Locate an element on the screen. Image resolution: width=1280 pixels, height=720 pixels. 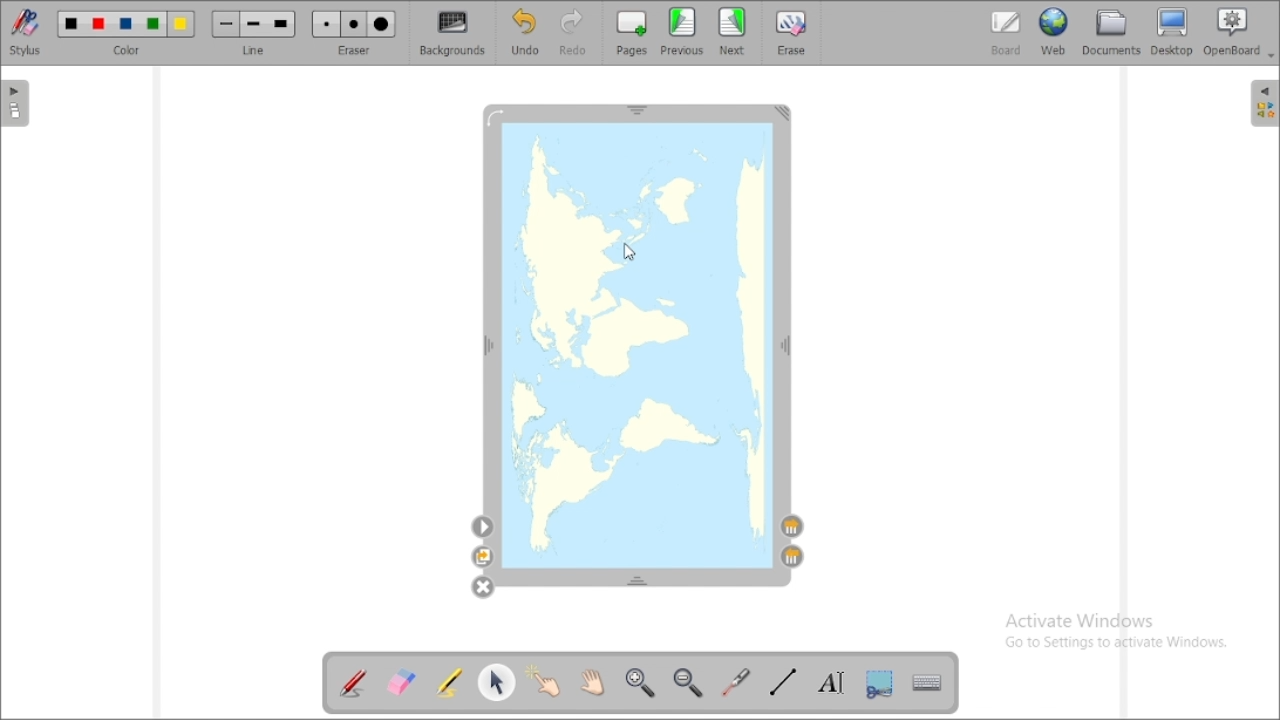
display virtual keyboard is located at coordinates (926, 682).